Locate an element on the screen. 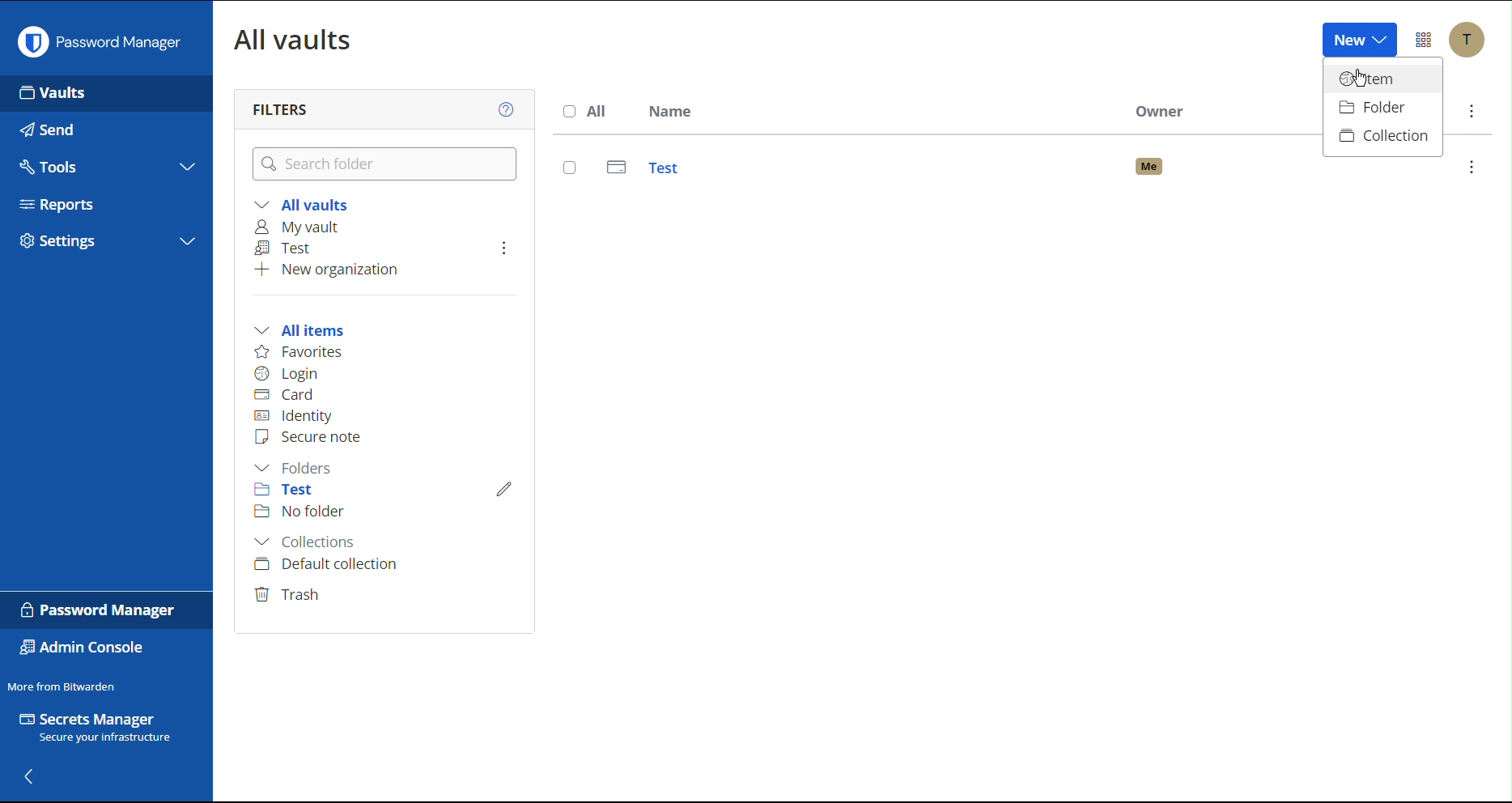 The image size is (1512, 803). No folder is located at coordinates (301, 512).